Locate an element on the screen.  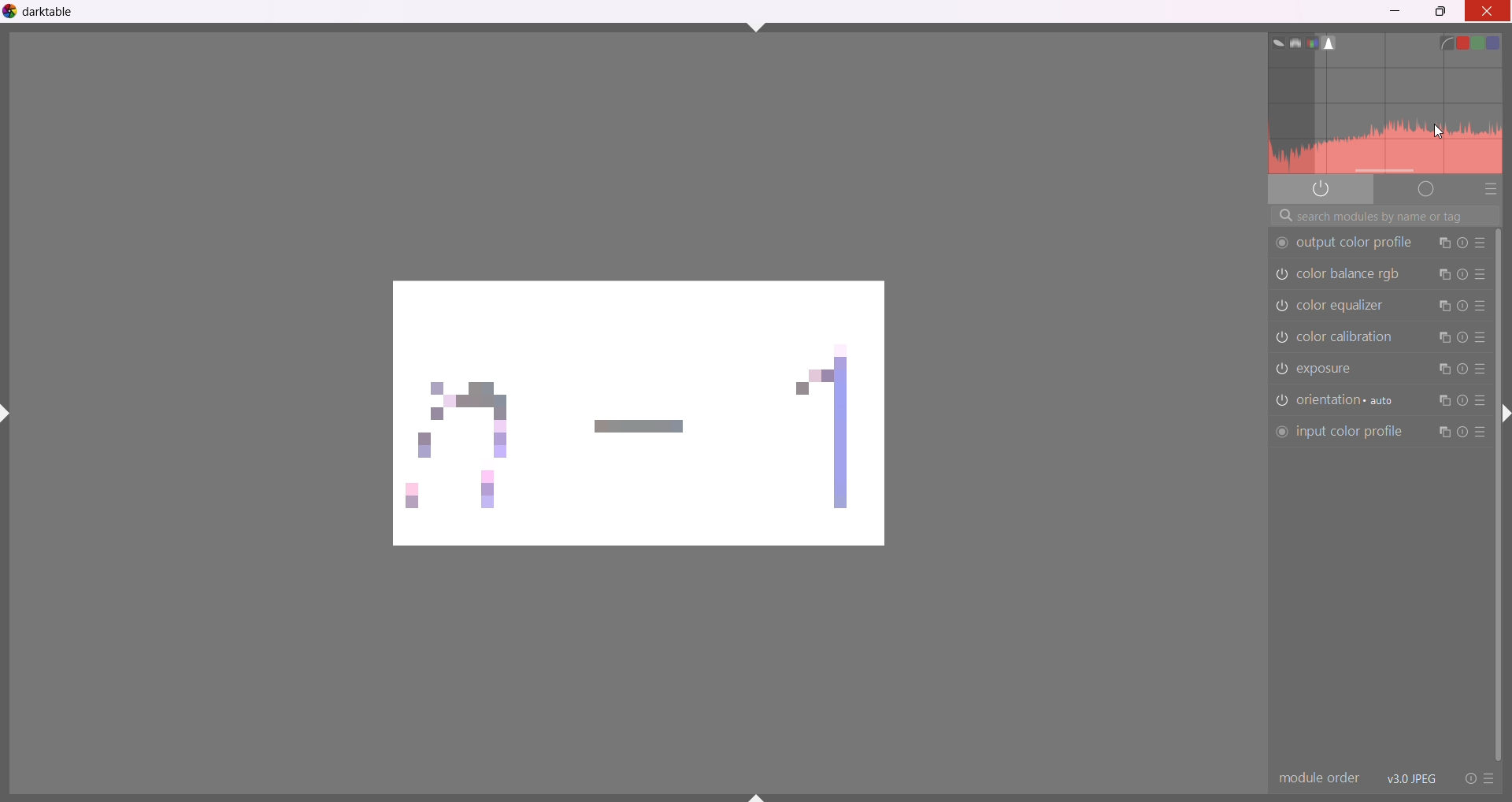
output color profile is located at coordinates (1343, 243).